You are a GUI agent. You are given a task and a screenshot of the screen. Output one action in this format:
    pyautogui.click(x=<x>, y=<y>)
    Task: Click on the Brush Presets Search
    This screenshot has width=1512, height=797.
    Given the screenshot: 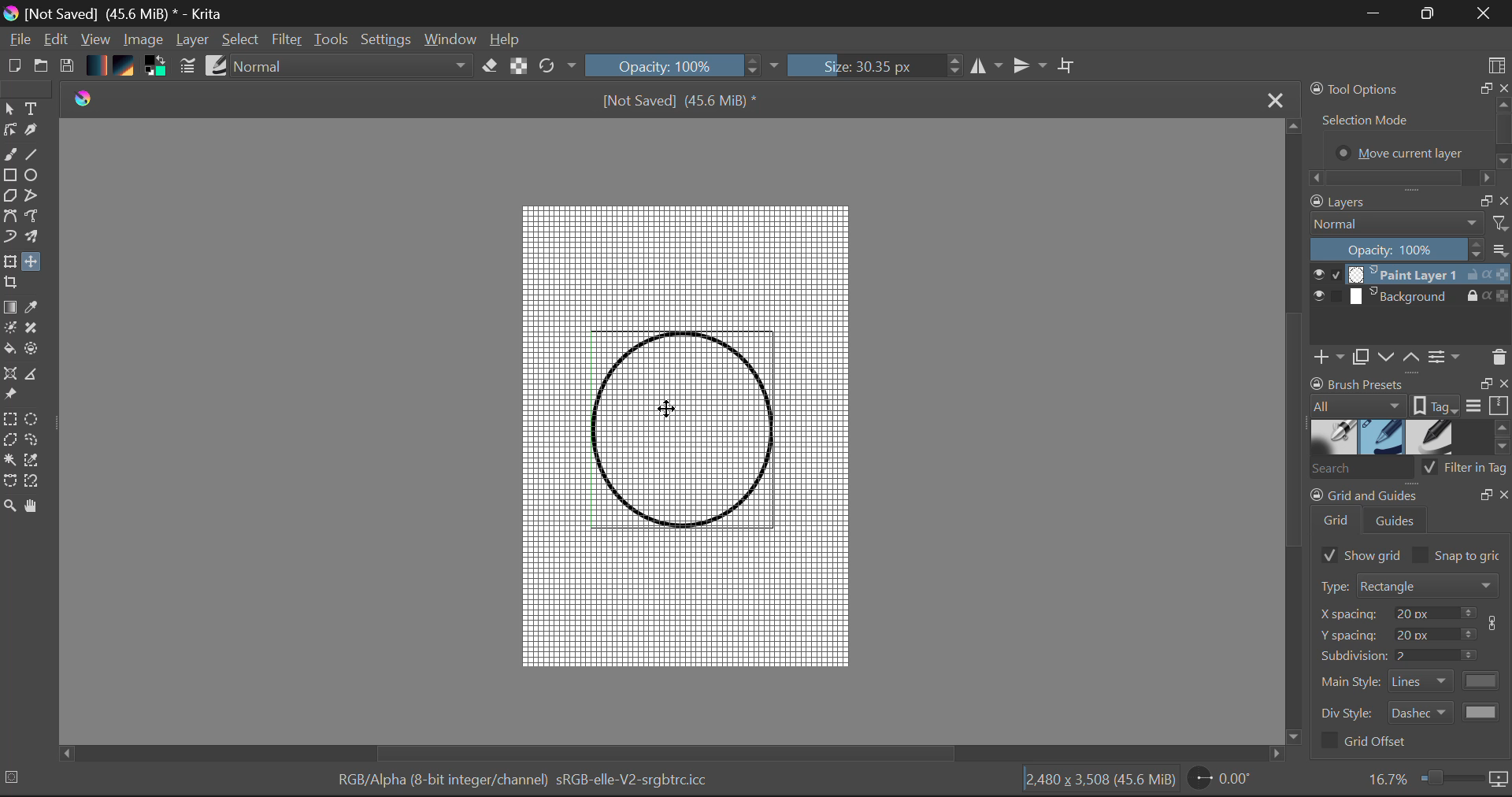 What is the action you would take?
    pyautogui.click(x=1410, y=472)
    